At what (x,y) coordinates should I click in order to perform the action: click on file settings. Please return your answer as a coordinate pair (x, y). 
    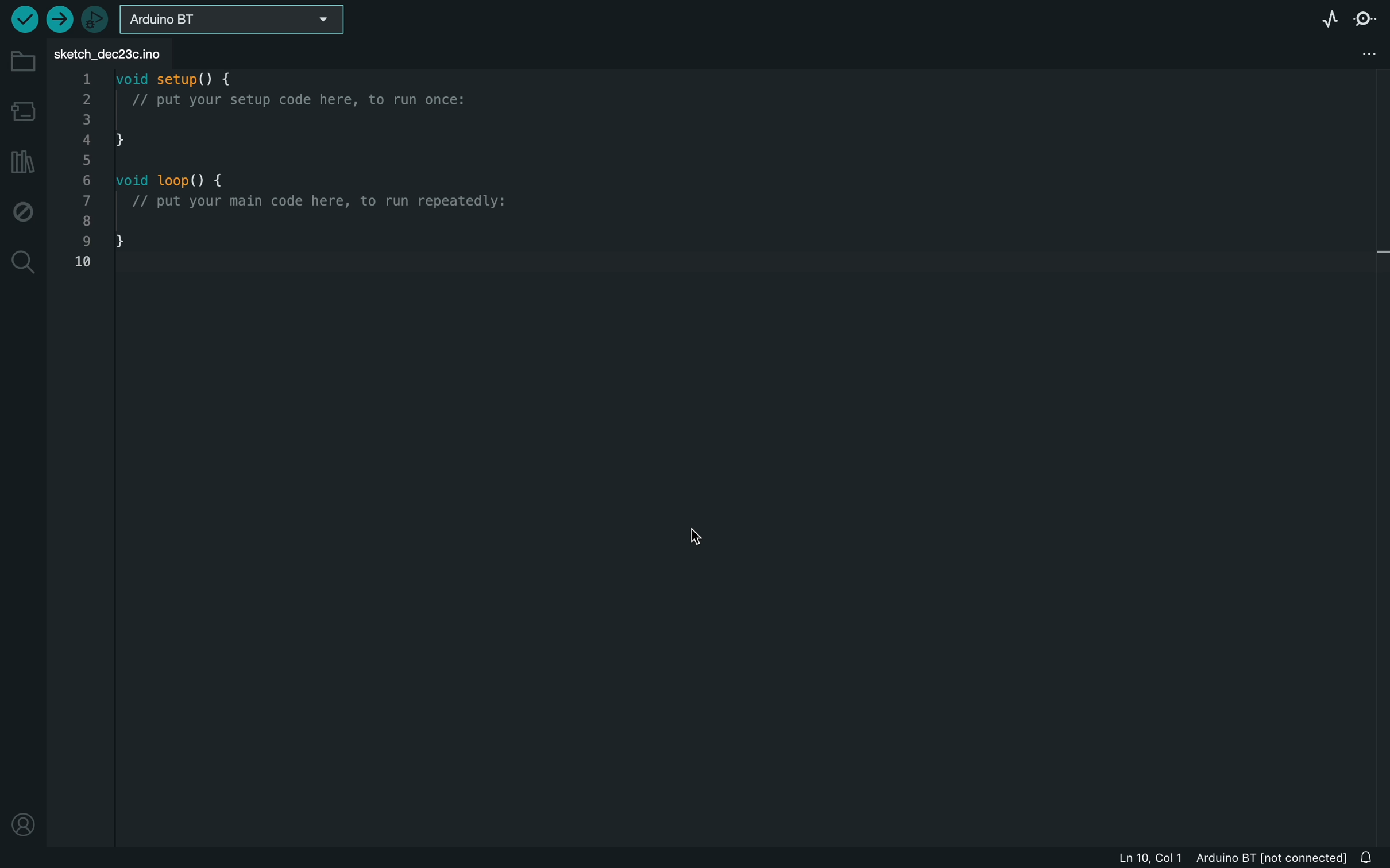
    Looking at the image, I should click on (1364, 53).